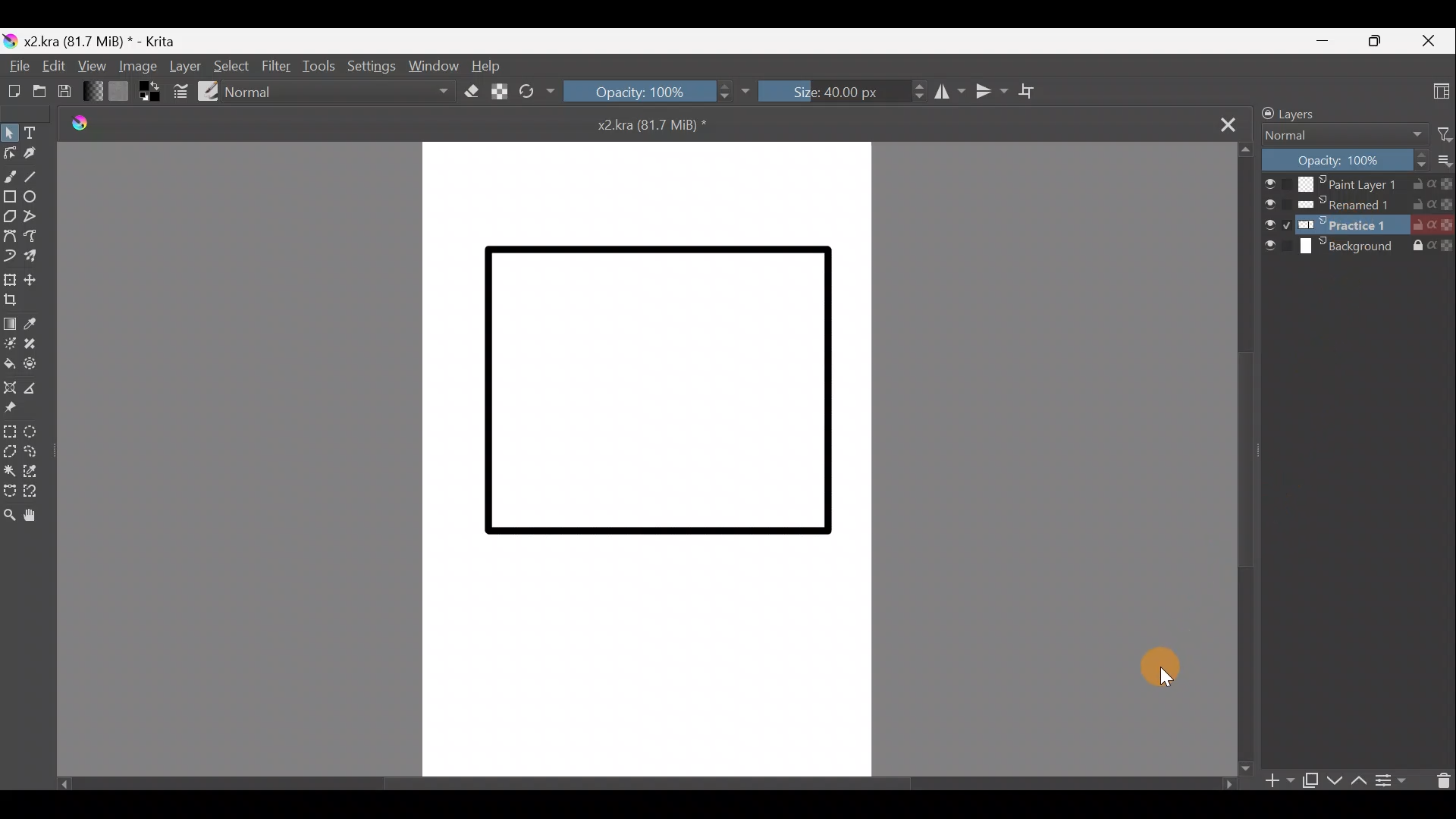 This screenshot has width=1456, height=819. I want to click on Assistant tool, so click(11, 390).